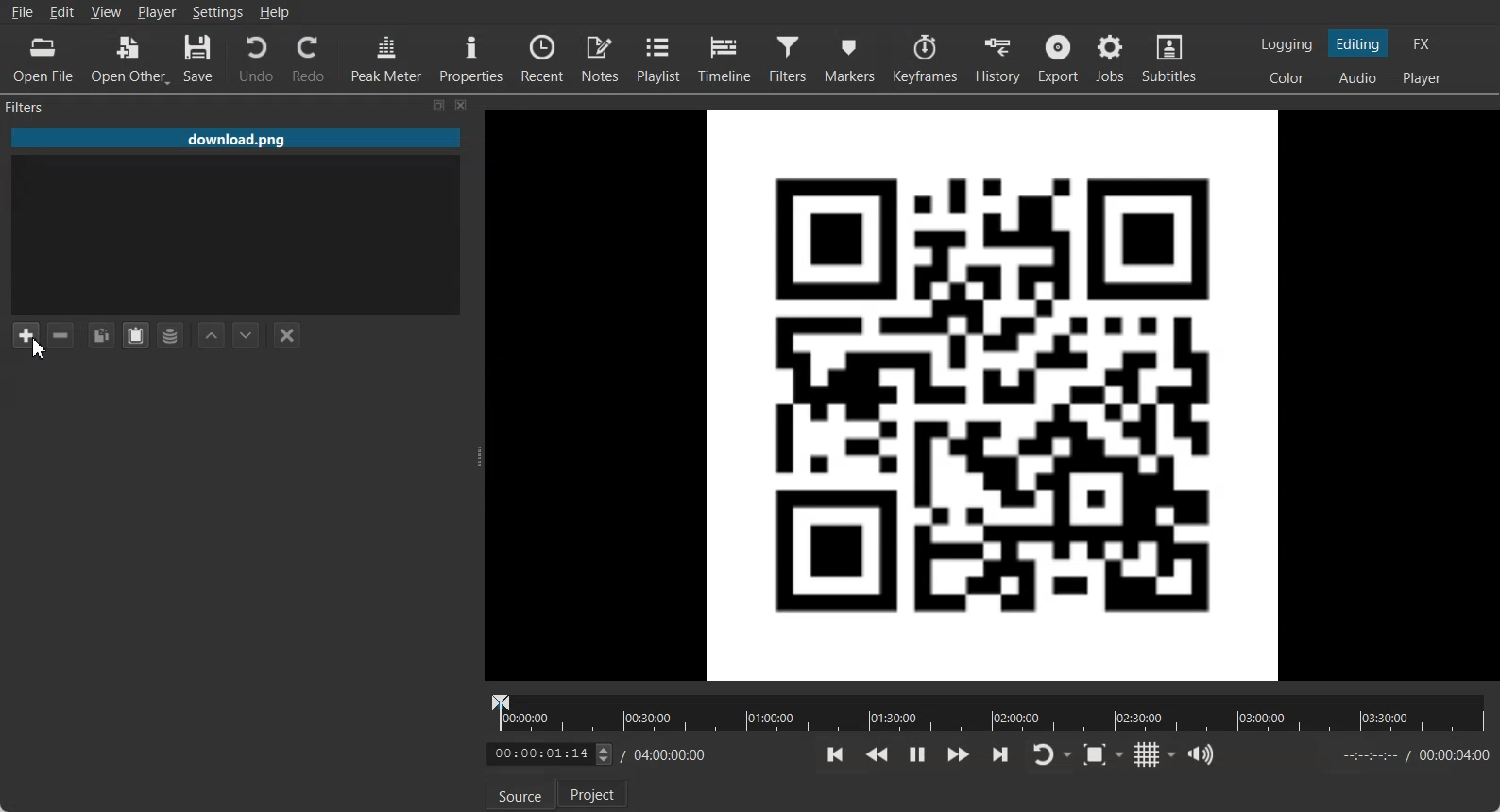 Image resolution: width=1500 pixels, height=812 pixels. Describe the element at coordinates (725, 58) in the screenshot. I see `Timeline` at that location.